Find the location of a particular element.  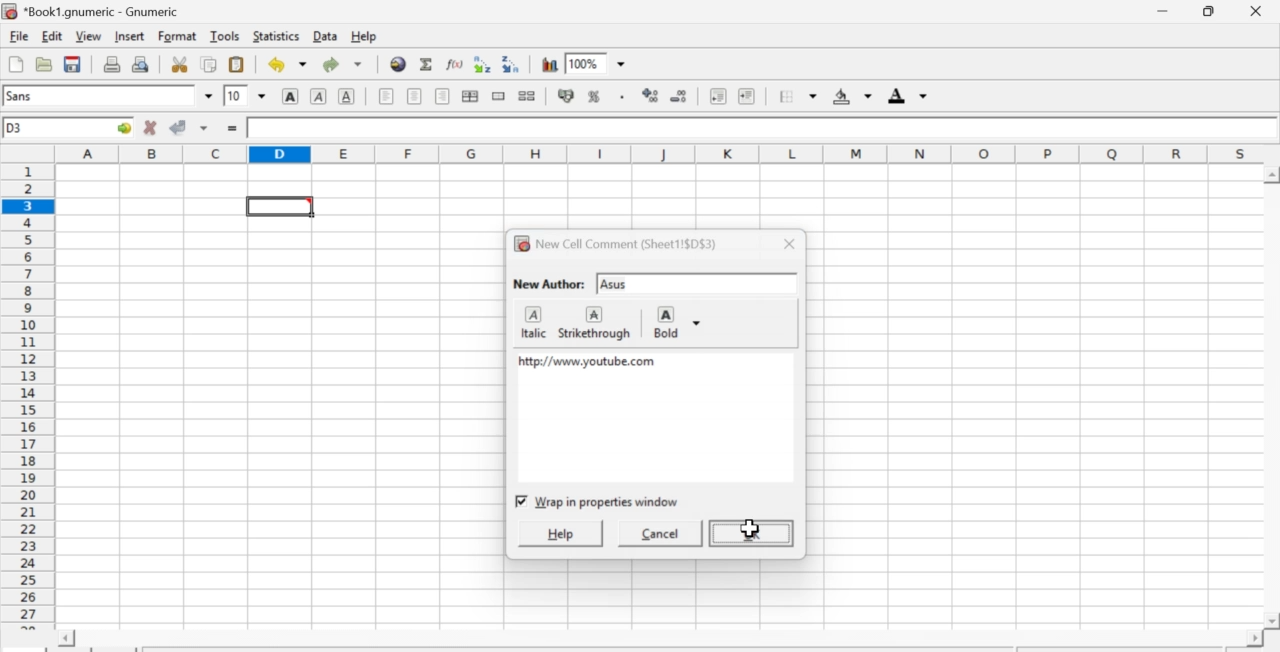

Underground is located at coordinates (346, 96).